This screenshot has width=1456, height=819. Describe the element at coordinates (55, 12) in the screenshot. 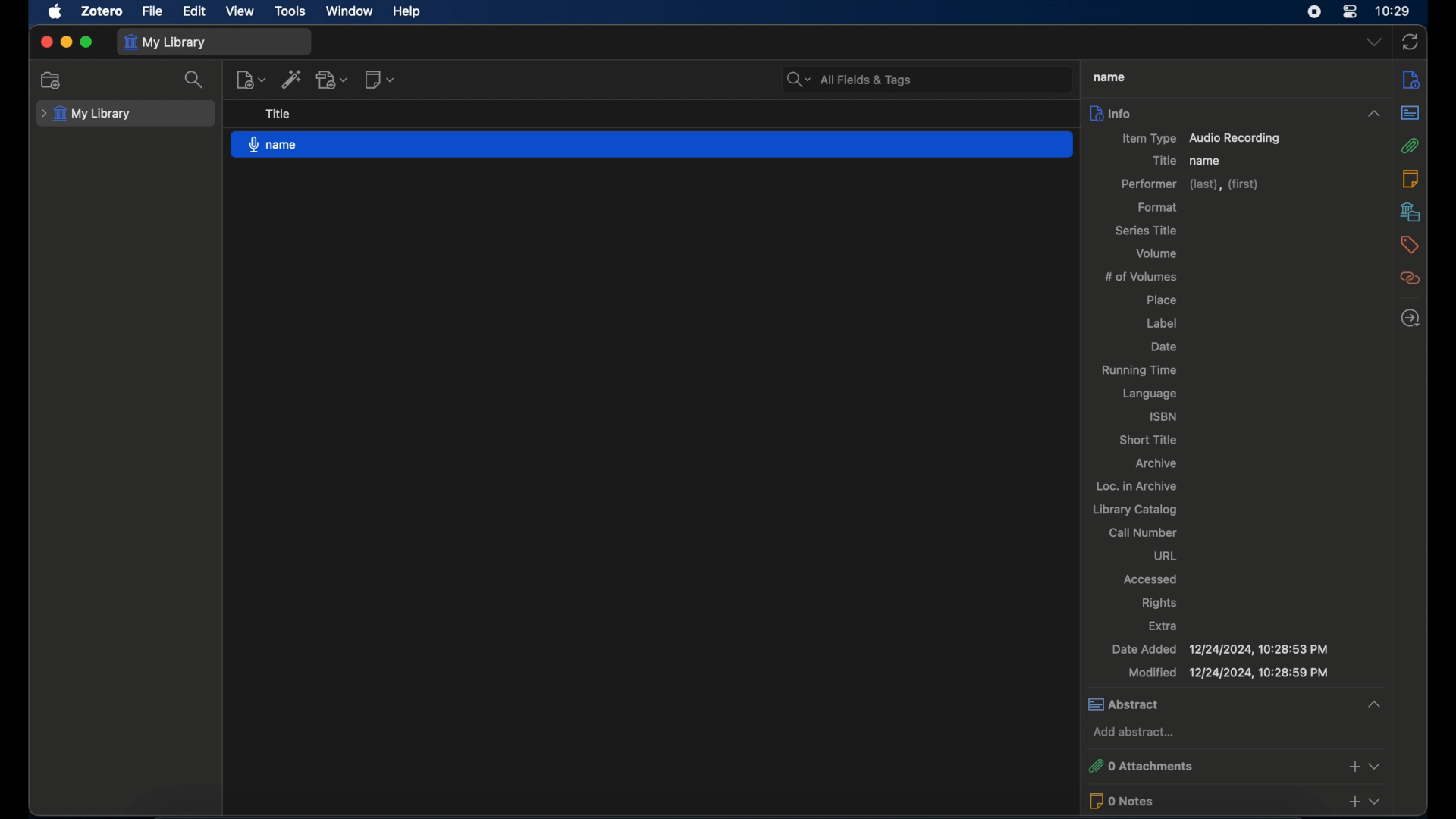

I see `apple` at that location.